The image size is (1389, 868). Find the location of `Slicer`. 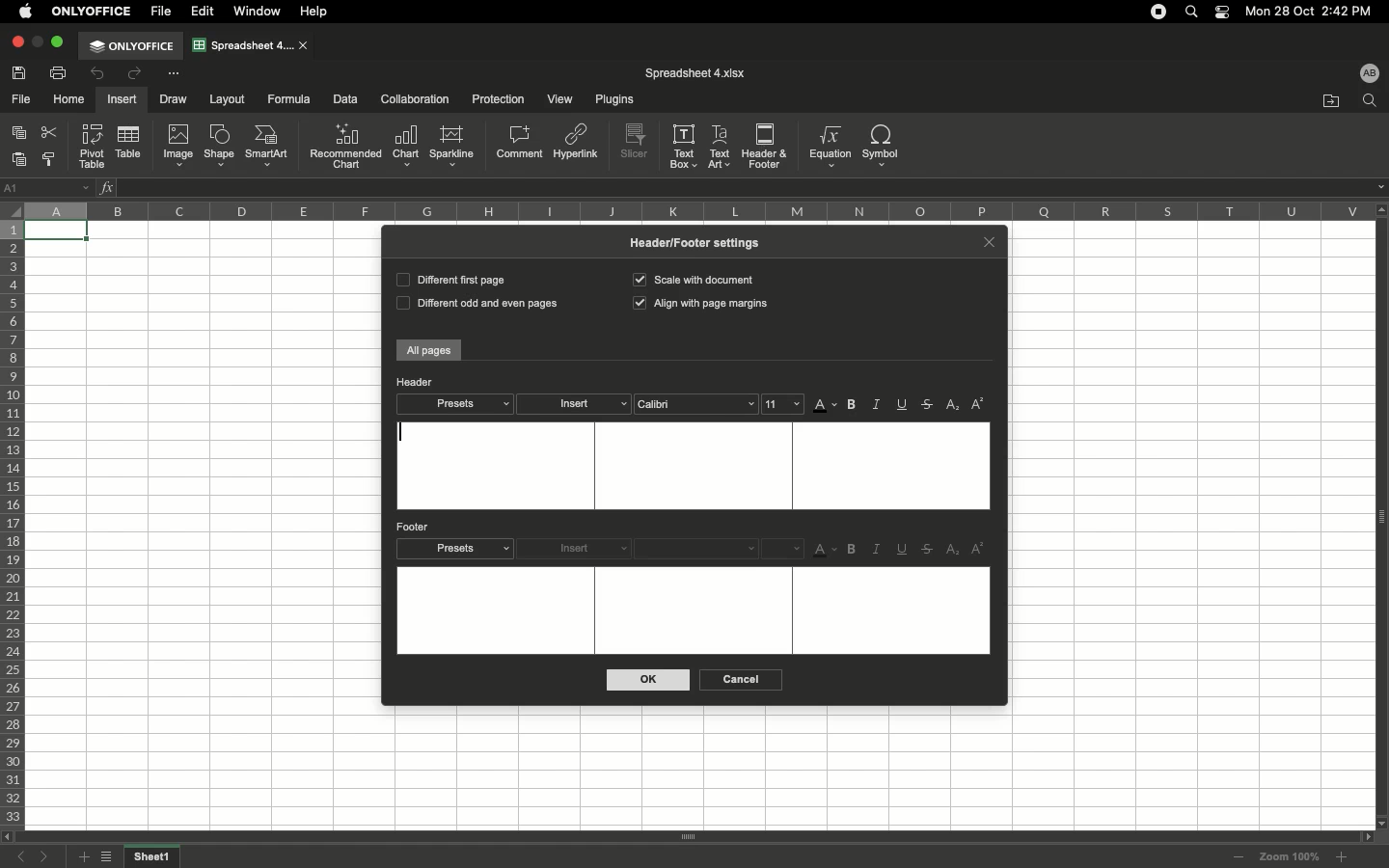

Slicer is located at coordinates (637, 142).